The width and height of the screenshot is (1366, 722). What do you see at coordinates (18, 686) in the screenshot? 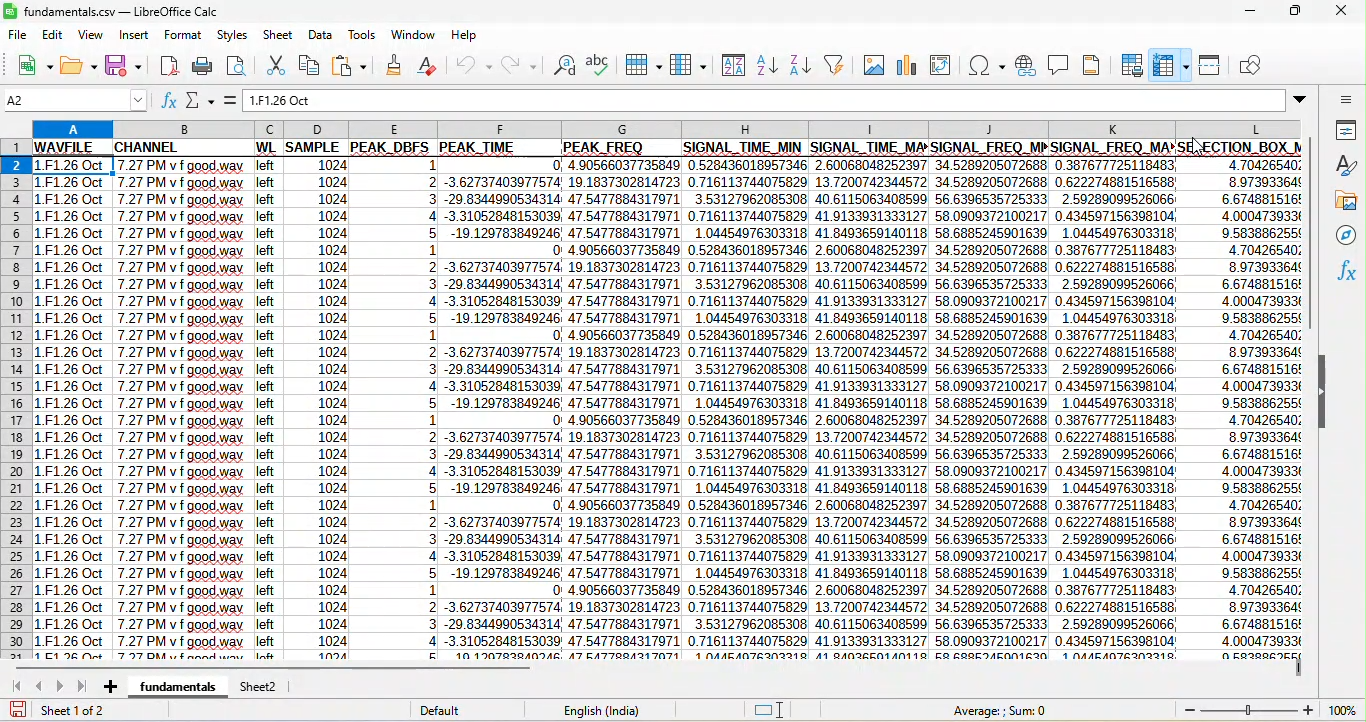
I see `first sheet` at bounding box center [18, 686].